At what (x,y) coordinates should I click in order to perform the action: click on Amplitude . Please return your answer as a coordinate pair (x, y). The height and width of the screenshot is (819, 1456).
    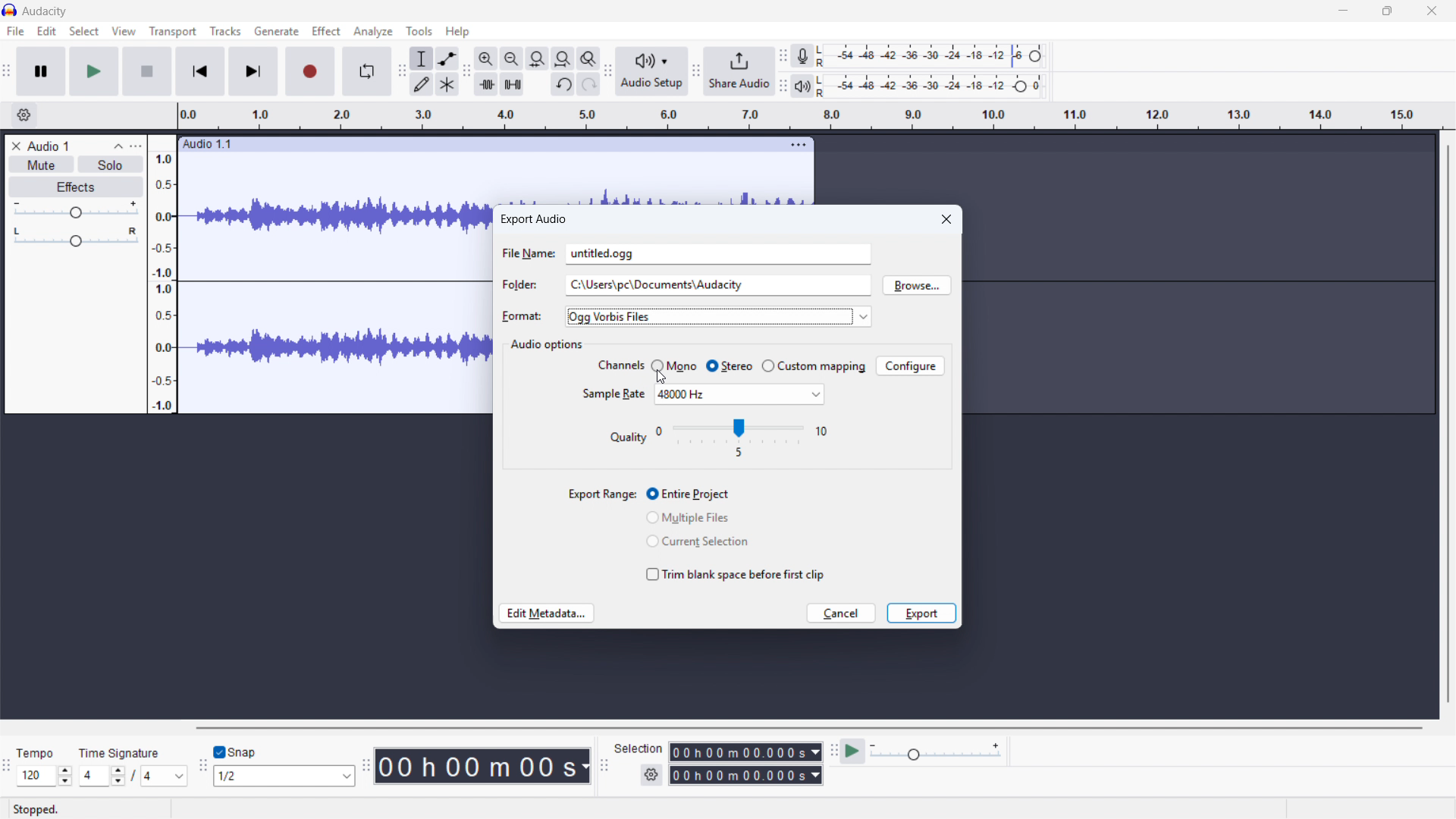
    Looking at the image, I should click on (162, 274).